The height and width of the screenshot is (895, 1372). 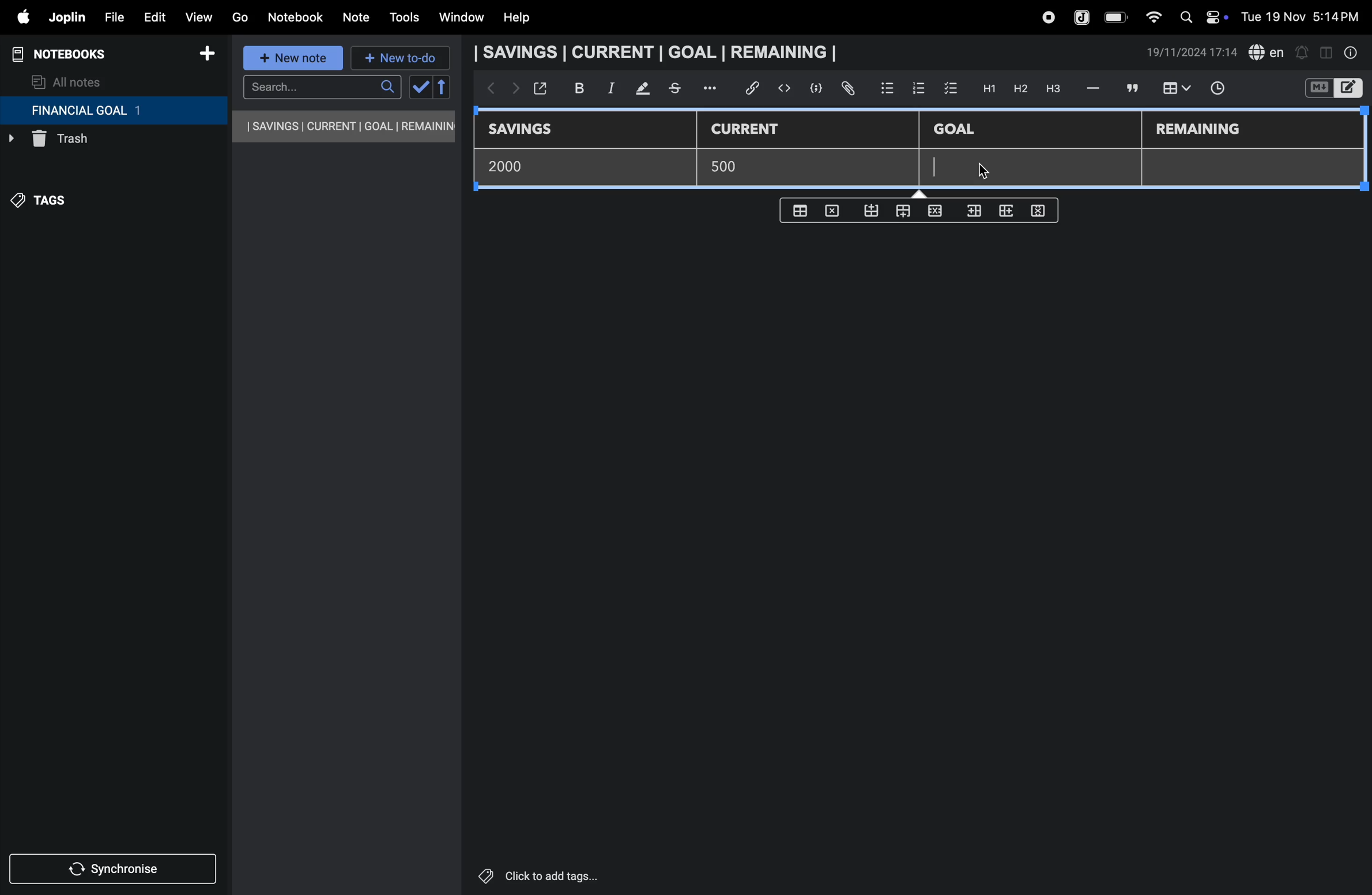 I want to click on date and time, so click(x=1192, y=52).